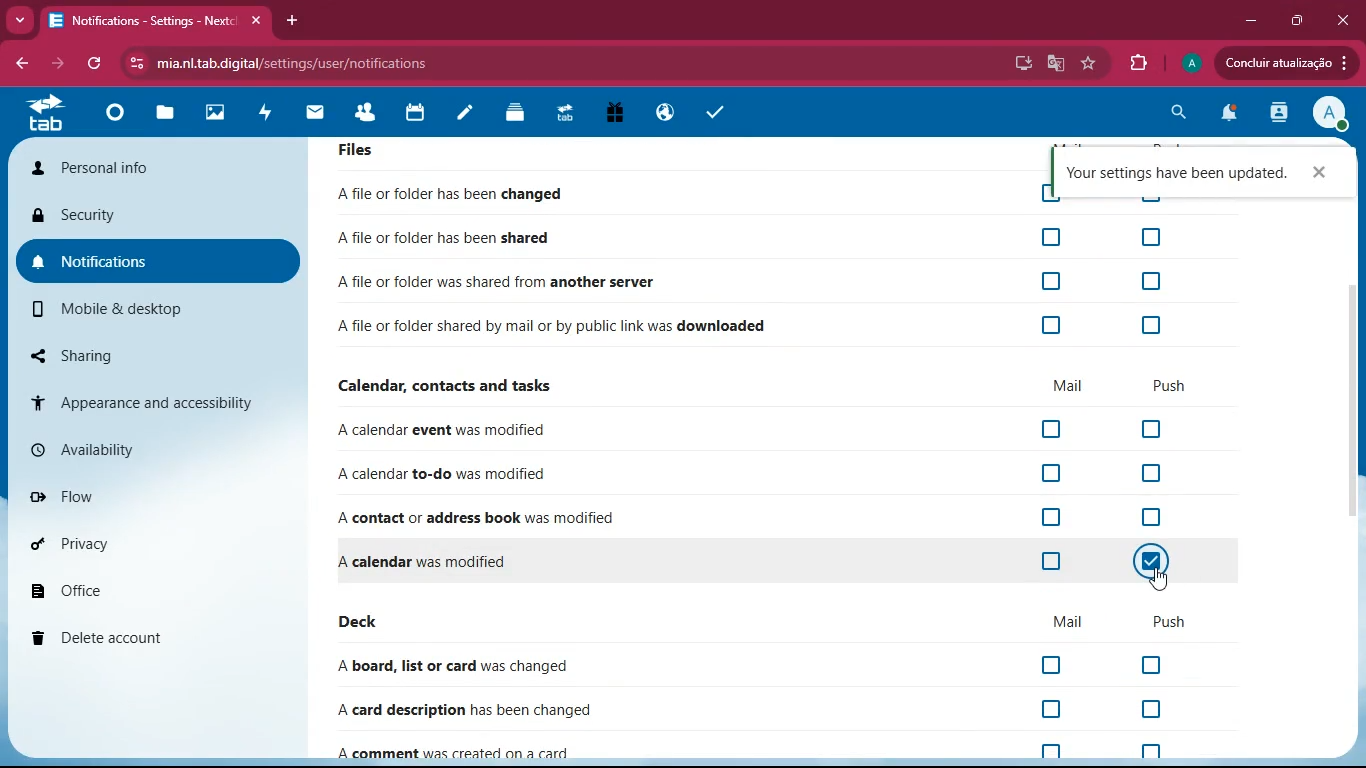  What do you see at coordinates (1161, 579) in the screenshot?
I see `cursor` at bounding box center [1161, 579].